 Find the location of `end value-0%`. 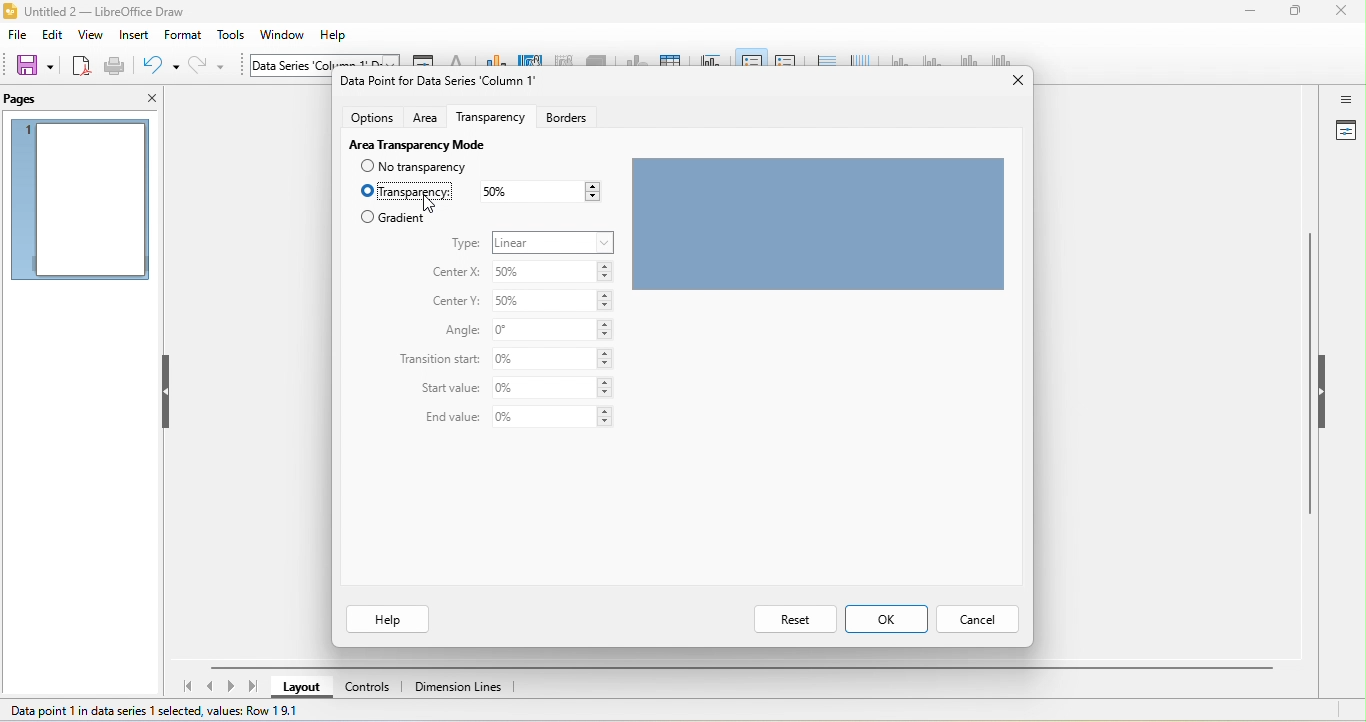

end value-0% is located at coordinates (551, 417).